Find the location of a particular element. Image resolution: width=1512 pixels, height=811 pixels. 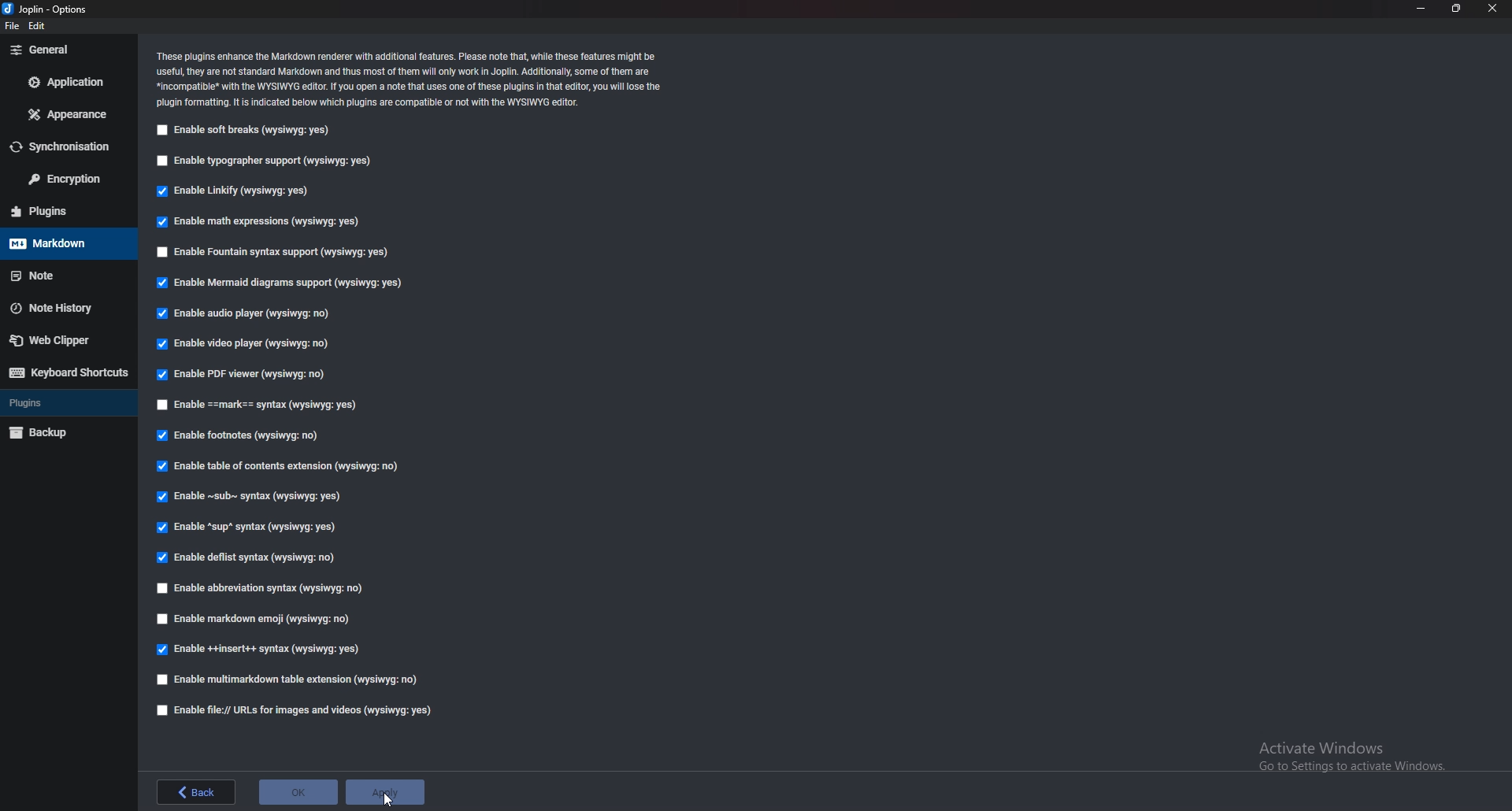

Enable video player is located at coordinates (250, 345).